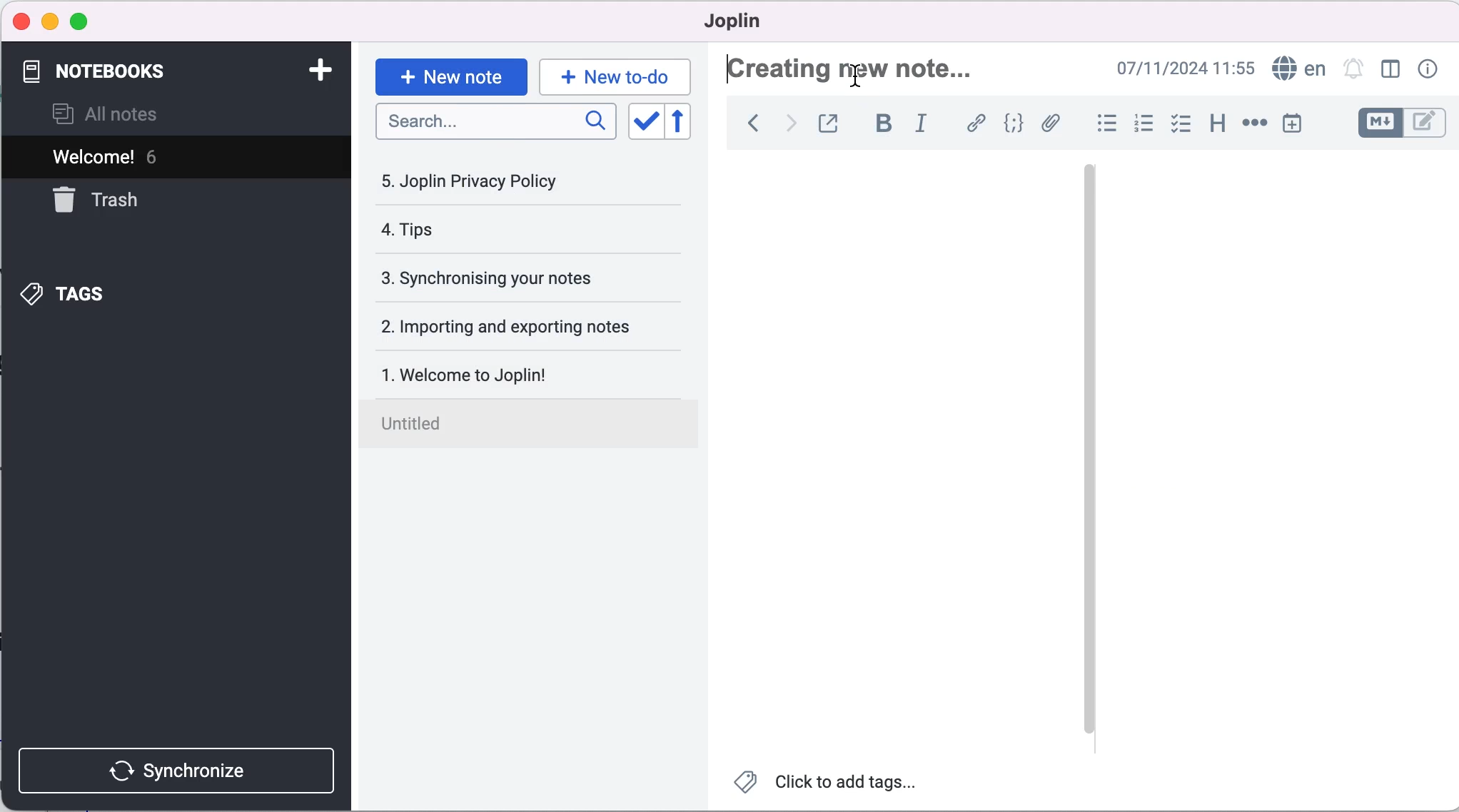 This screenshot has width=1459, height=812. I want to click on minimize, so click(49, 22).